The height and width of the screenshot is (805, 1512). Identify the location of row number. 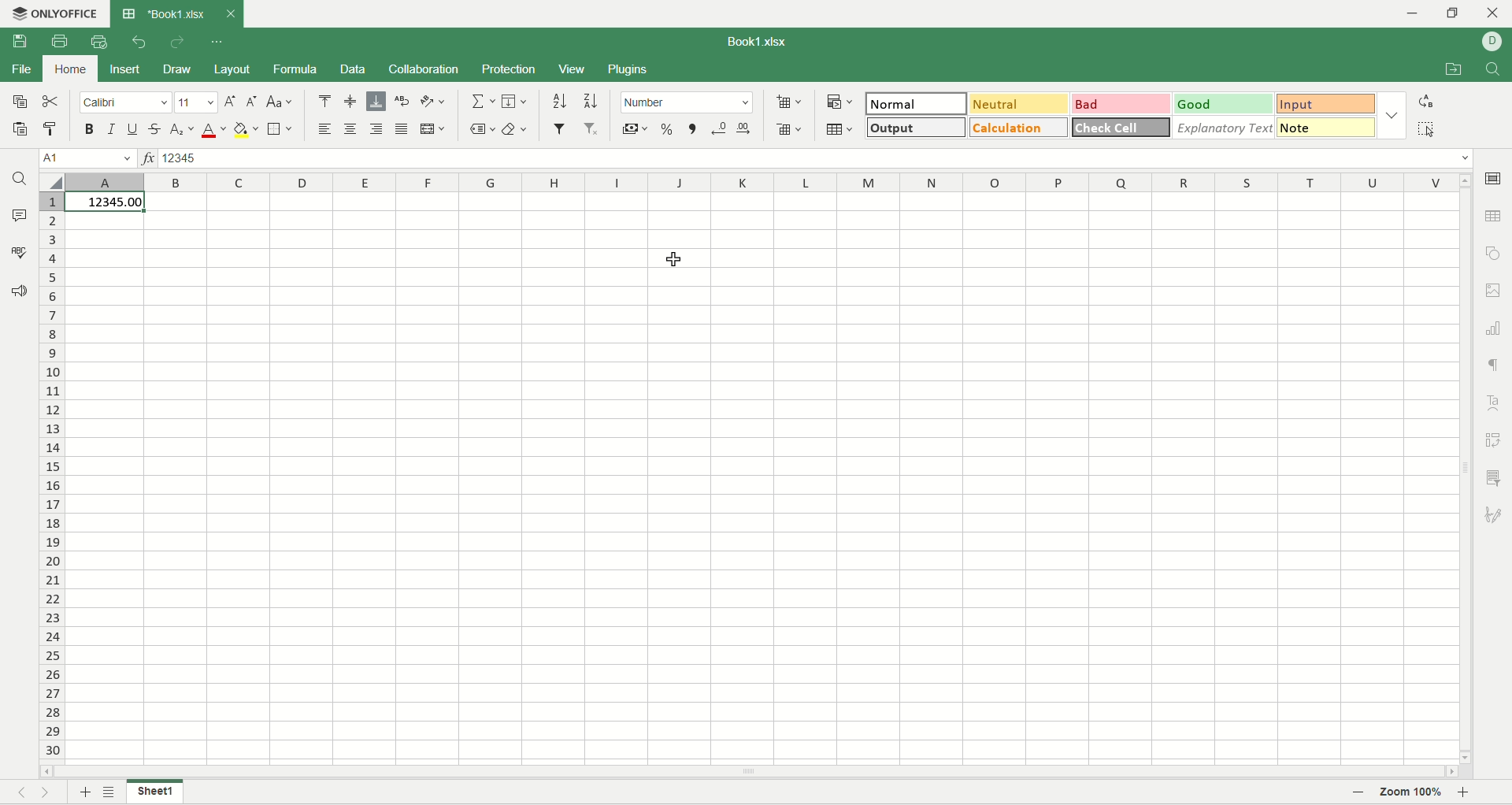
(50, 476).